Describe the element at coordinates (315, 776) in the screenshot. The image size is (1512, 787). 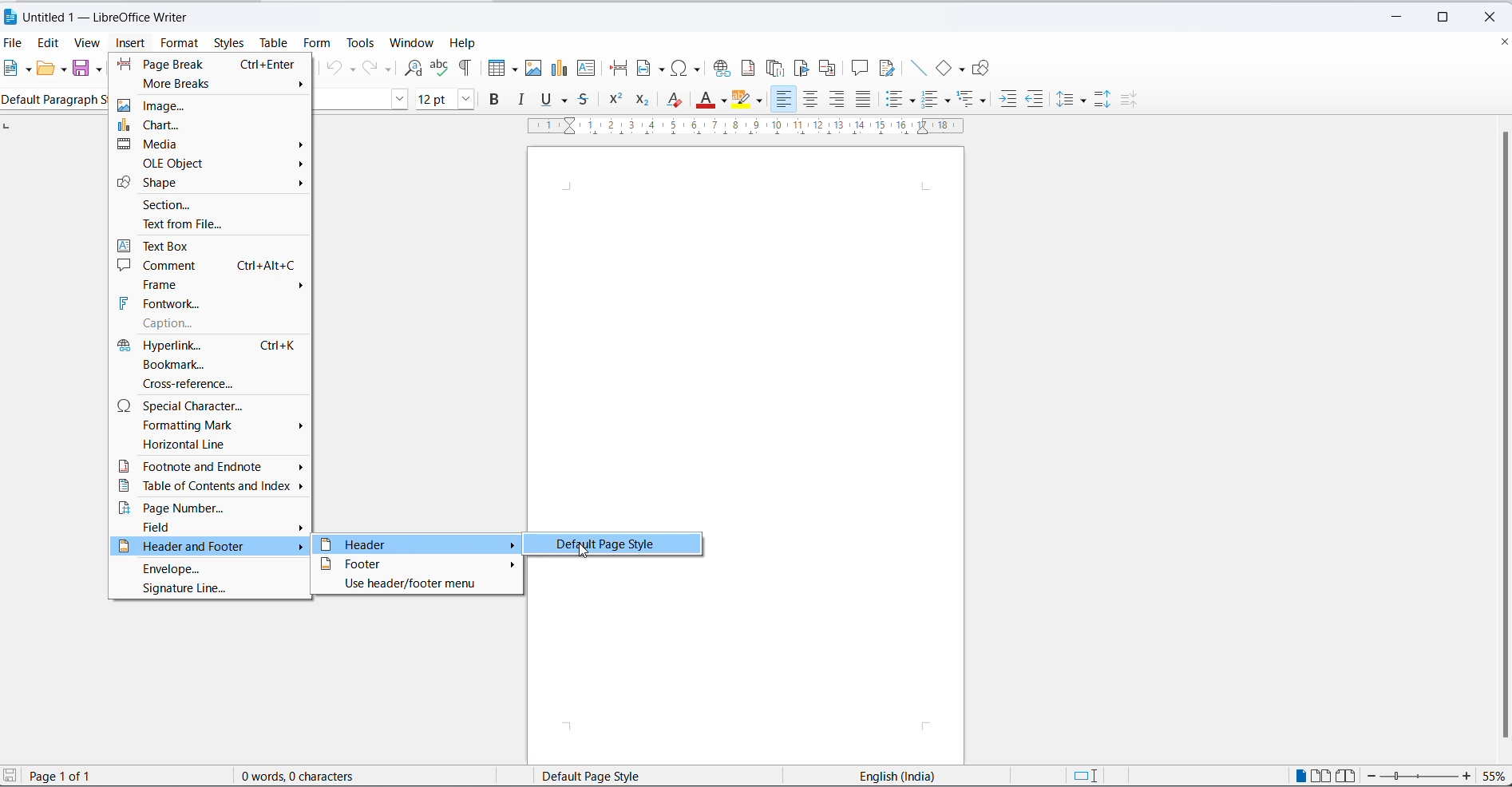
I see `0 words, 0 characters` at that location.